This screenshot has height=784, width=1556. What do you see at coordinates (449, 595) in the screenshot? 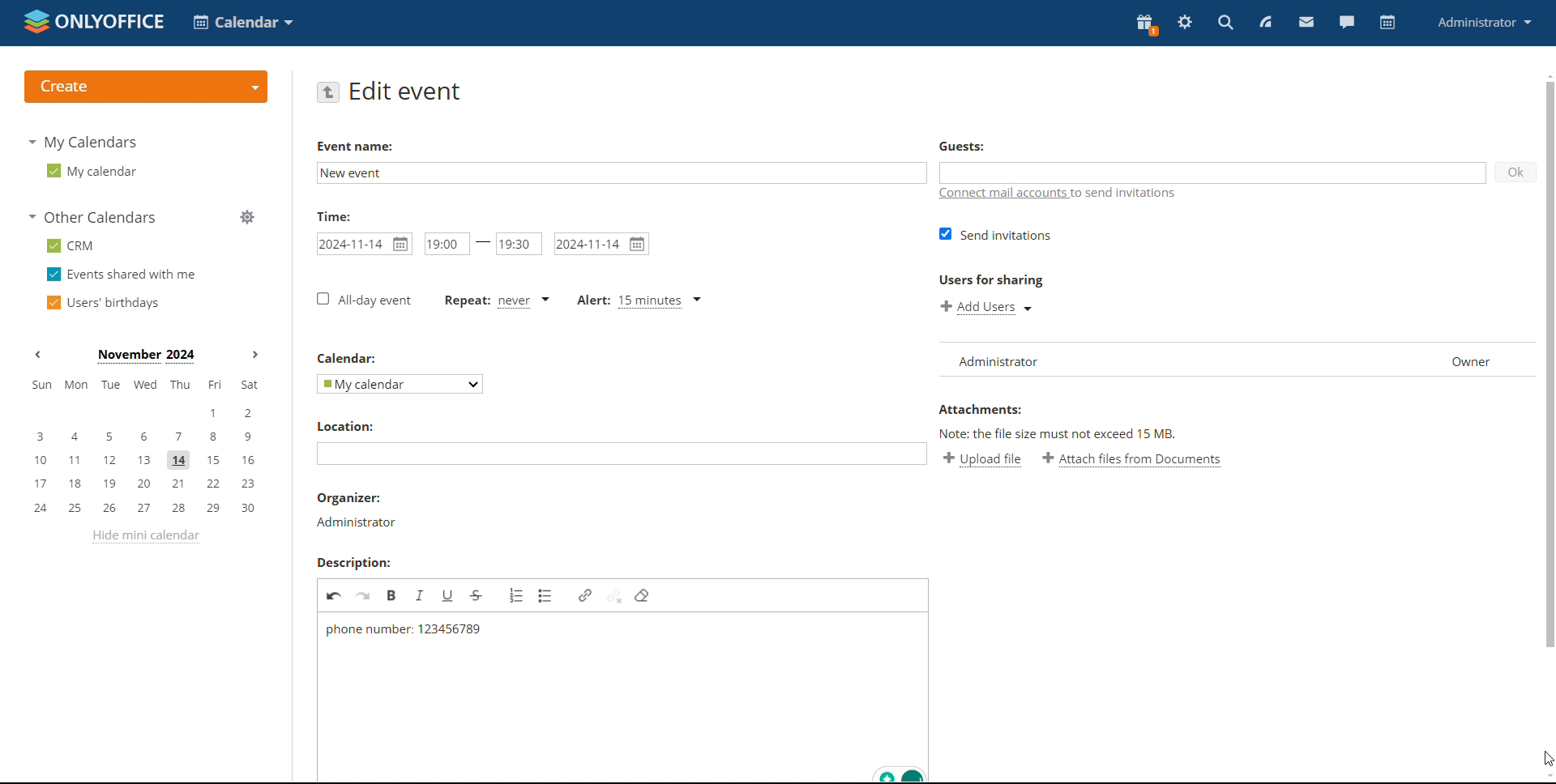
I see `underline` at bounding box center [449, 595].